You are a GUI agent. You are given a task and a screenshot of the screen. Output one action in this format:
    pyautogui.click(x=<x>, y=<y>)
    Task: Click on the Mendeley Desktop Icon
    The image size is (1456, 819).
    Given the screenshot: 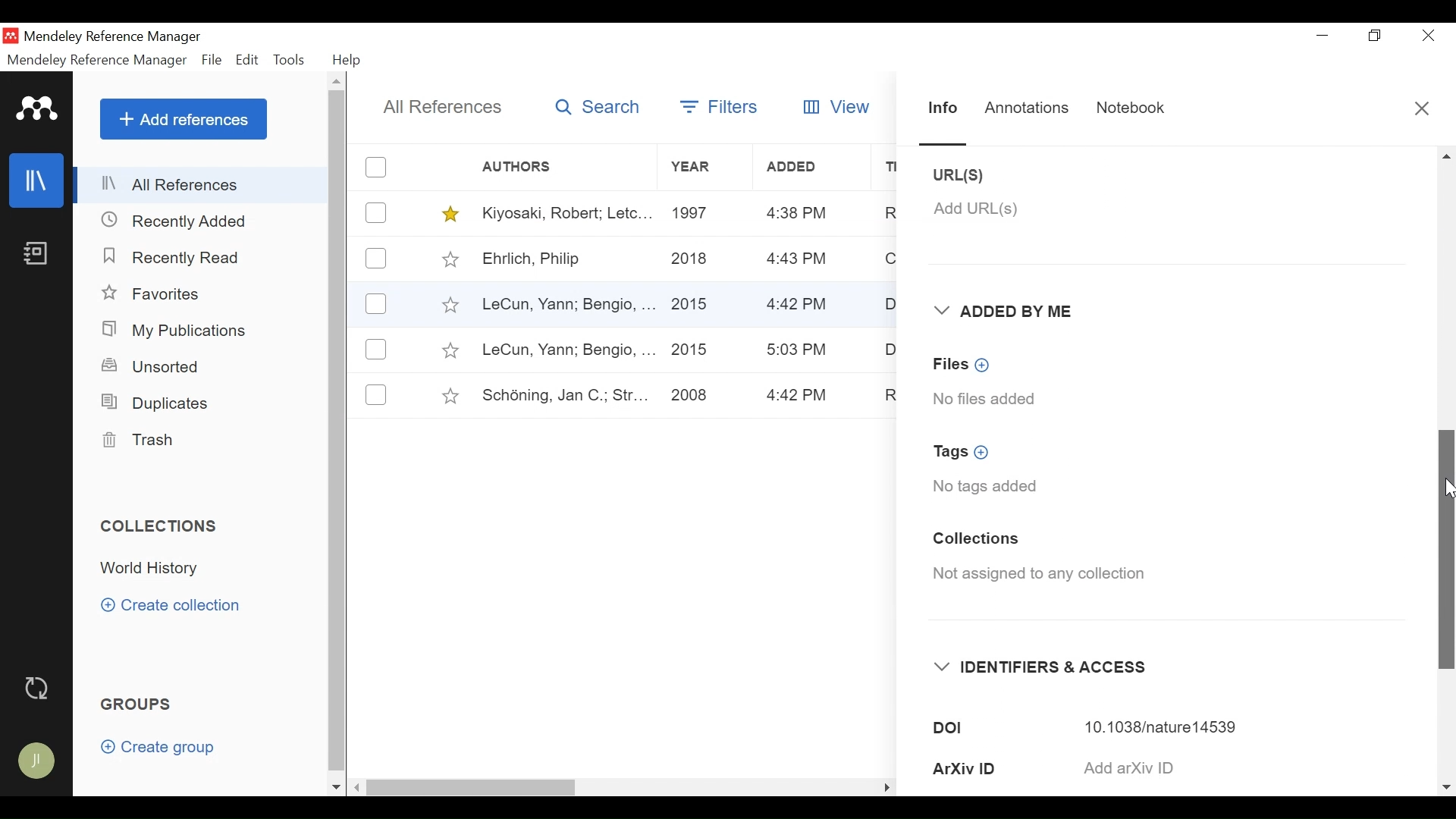 What is the action you would take?
    pyautogui.click(x=12, y=36)
    